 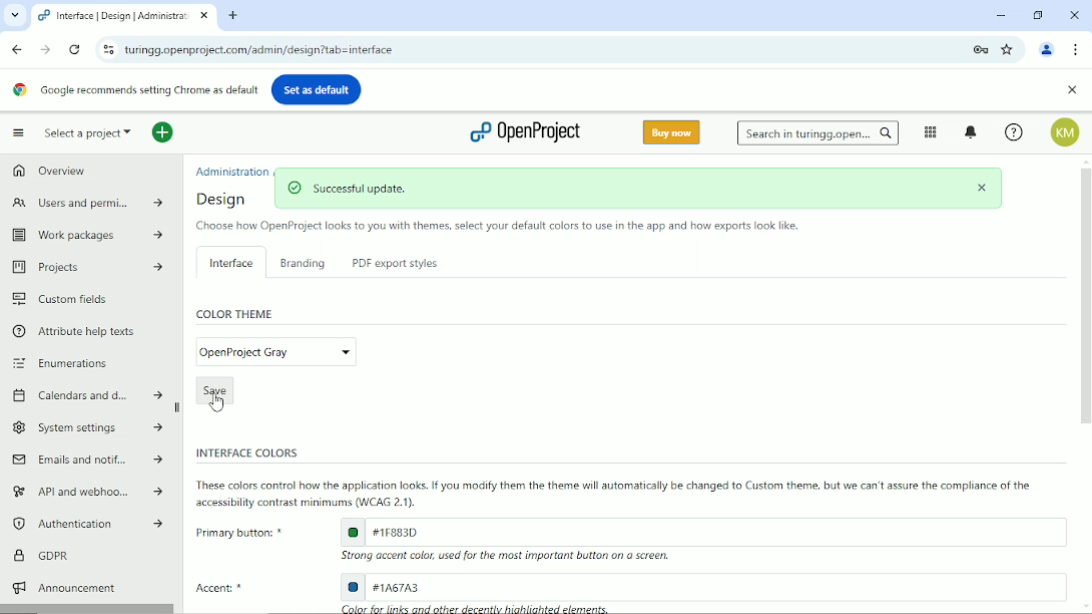 What do you see at coordinates (204, 16) in the screenshot?
I see `close current window` at bounding box center [204, 16].